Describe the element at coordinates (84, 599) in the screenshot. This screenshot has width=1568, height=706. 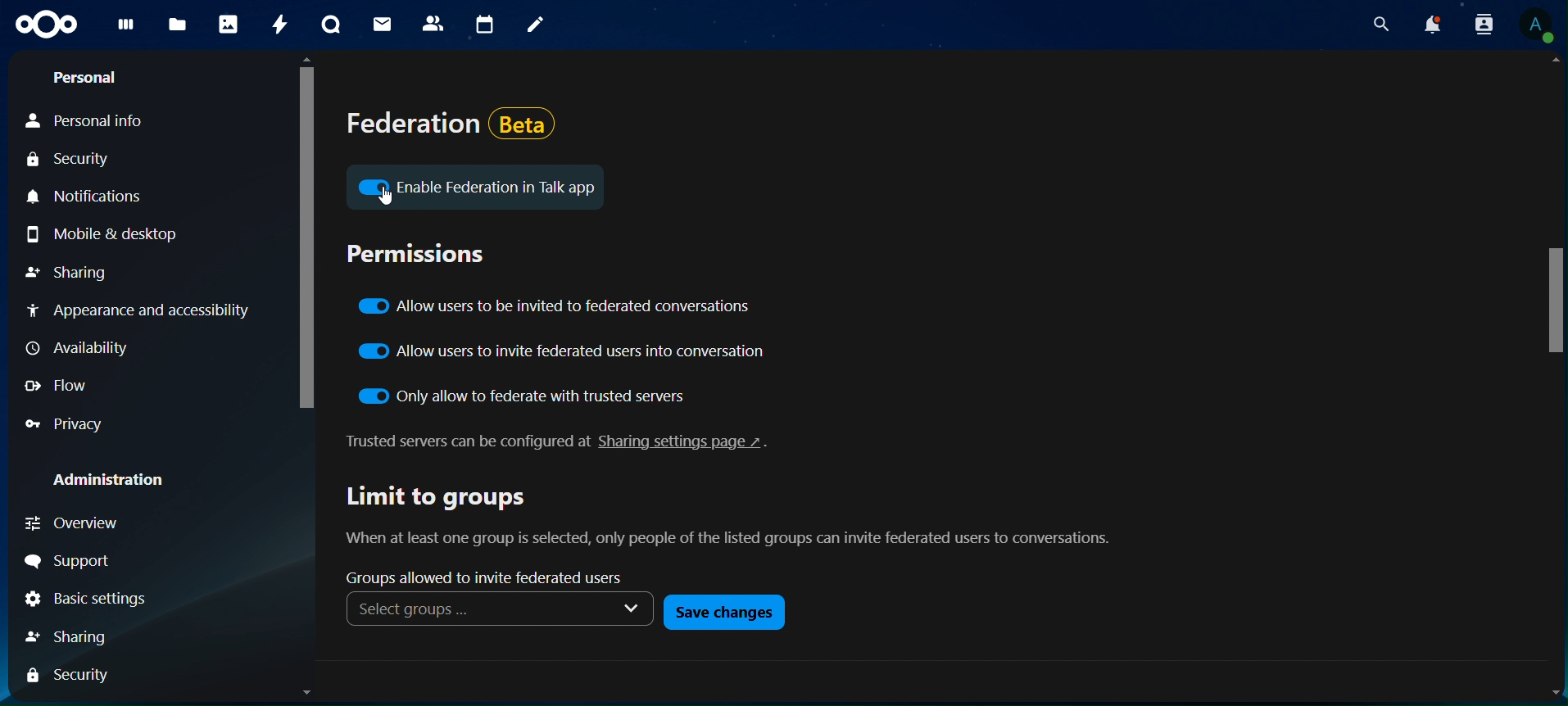
I see `Basic Settings` at that location.